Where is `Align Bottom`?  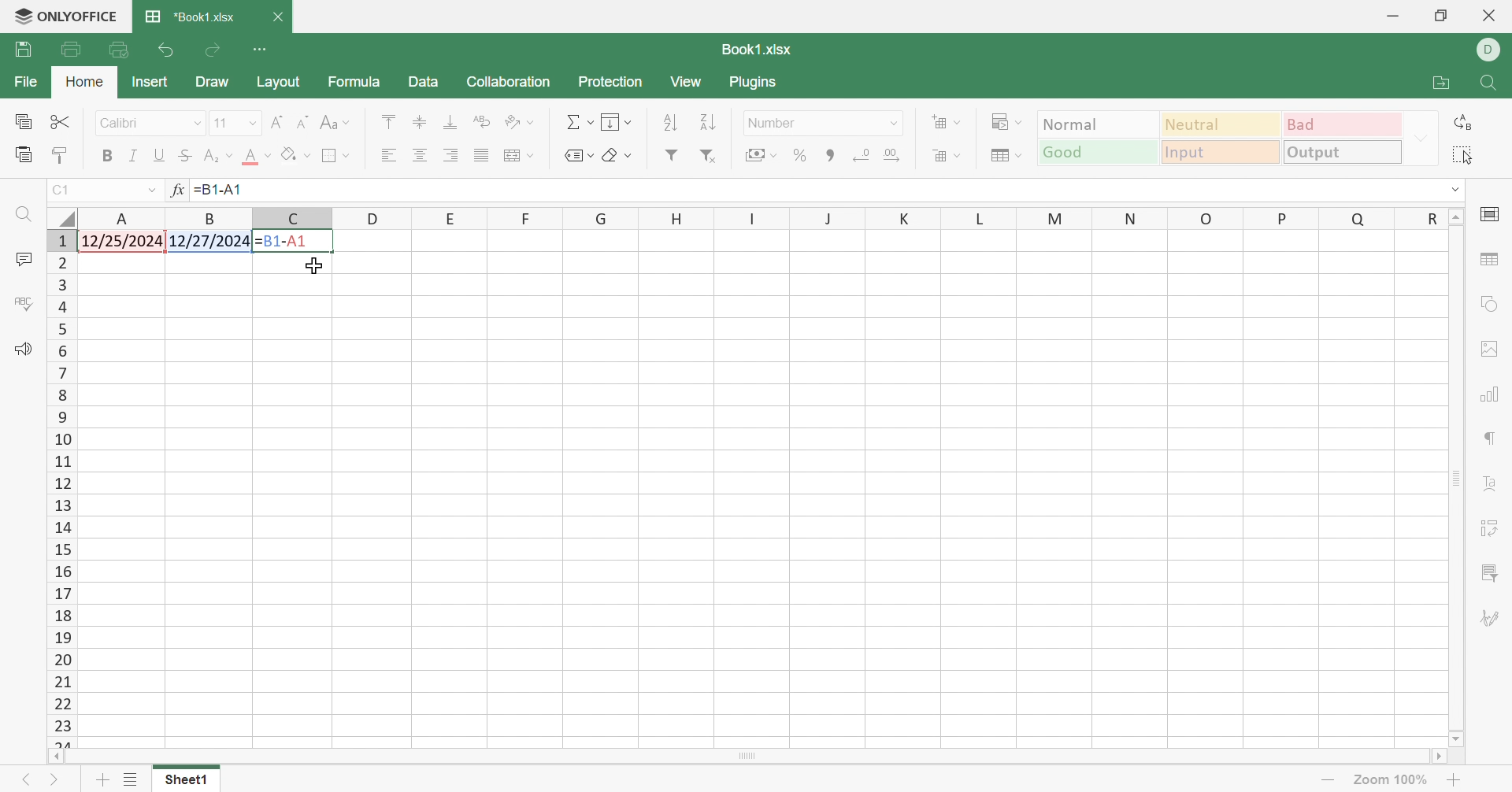
Align Bottom is located at coordinates (450, 123).